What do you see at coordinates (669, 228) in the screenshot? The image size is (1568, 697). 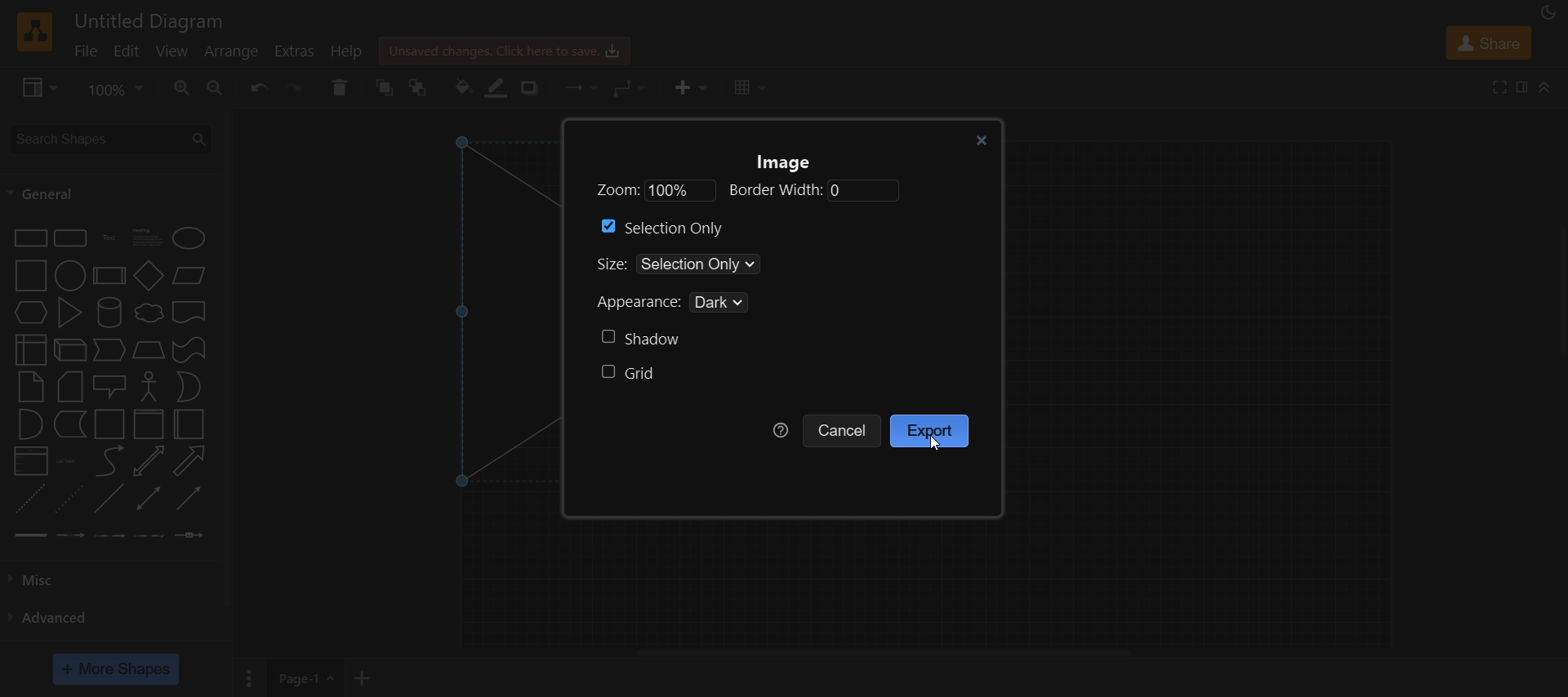 I see `selection only` at bounding box center [669, 228].